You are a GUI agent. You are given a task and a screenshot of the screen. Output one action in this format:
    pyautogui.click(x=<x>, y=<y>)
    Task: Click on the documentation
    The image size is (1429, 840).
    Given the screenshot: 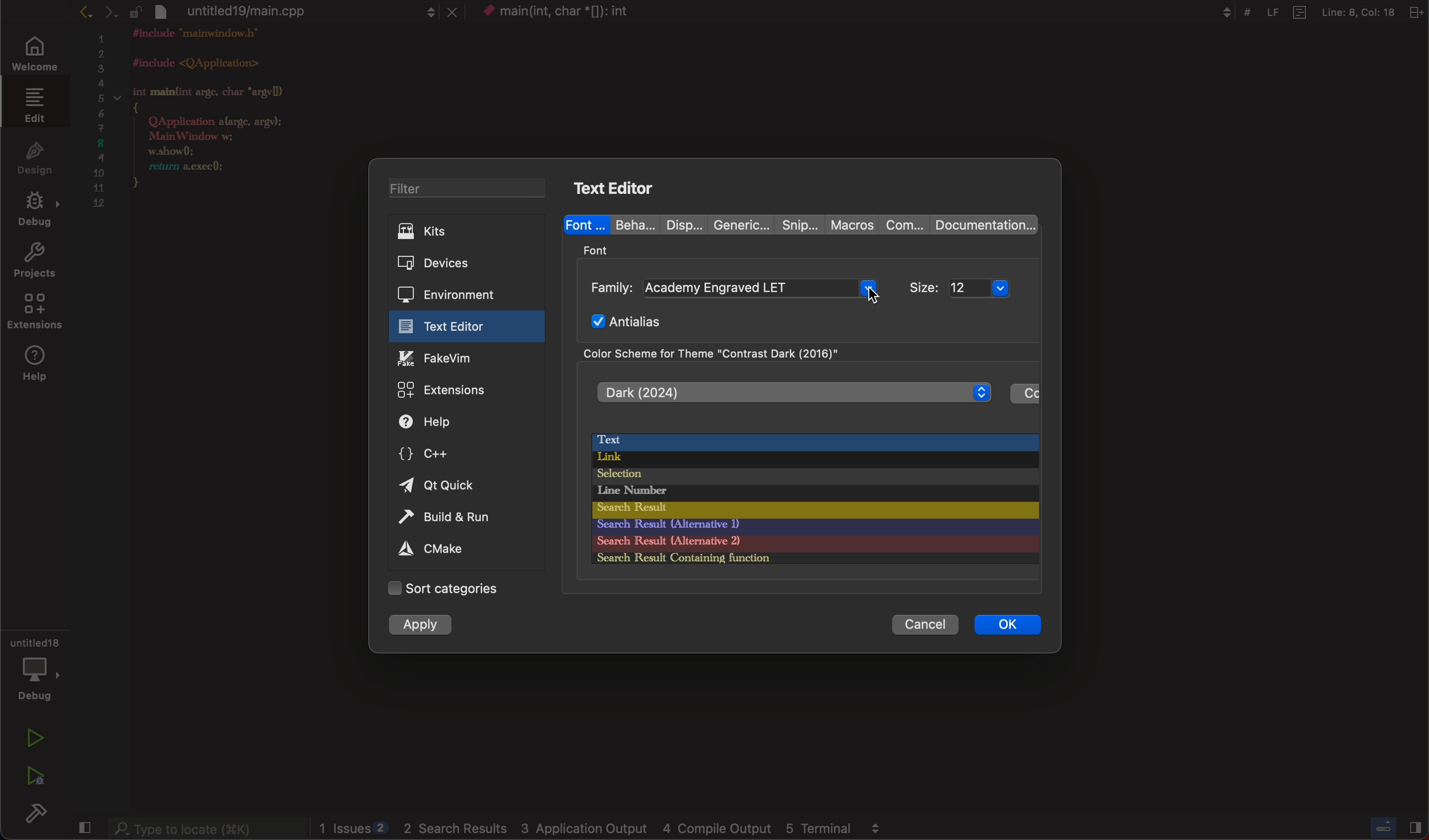 What is the action you would take?
    pyautogui.click(x=982, y=225)
    